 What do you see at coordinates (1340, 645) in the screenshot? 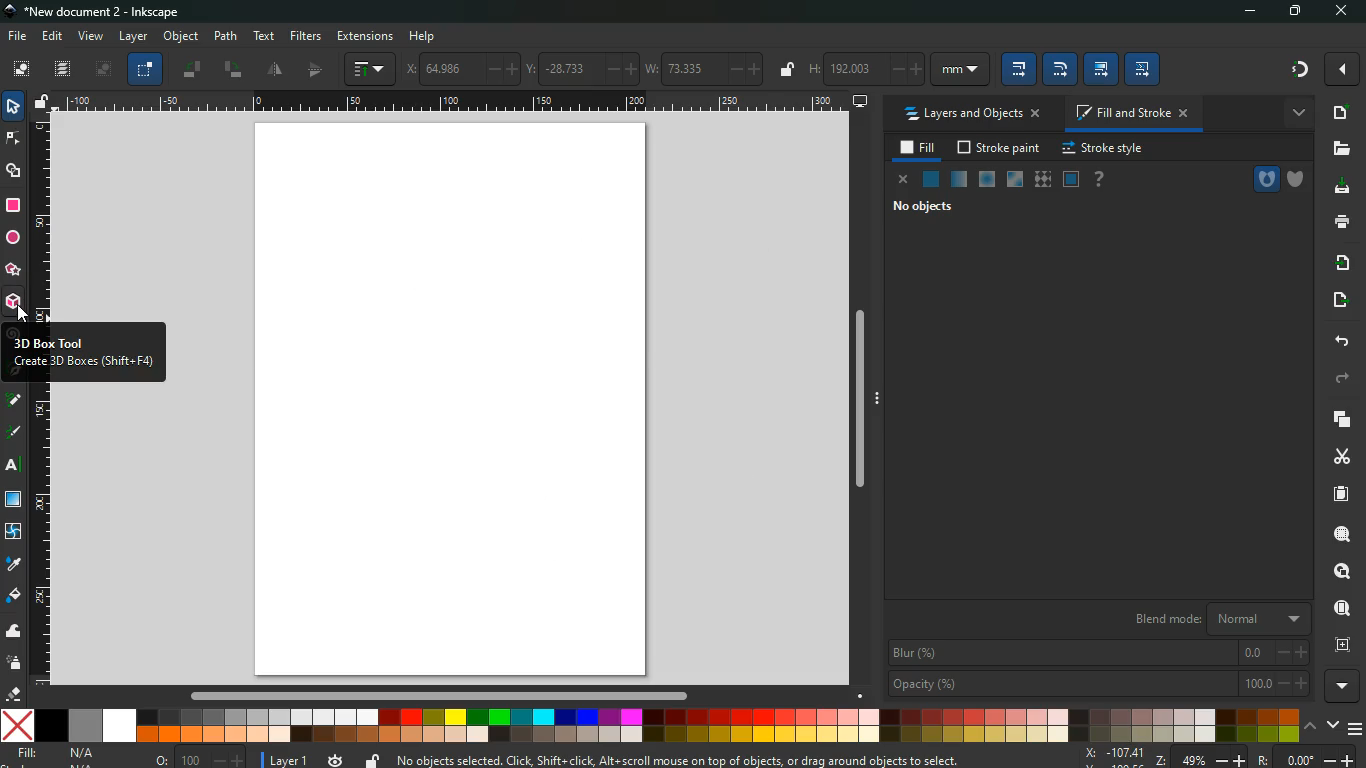
I see `frame` at bounding box center [1340, 645].